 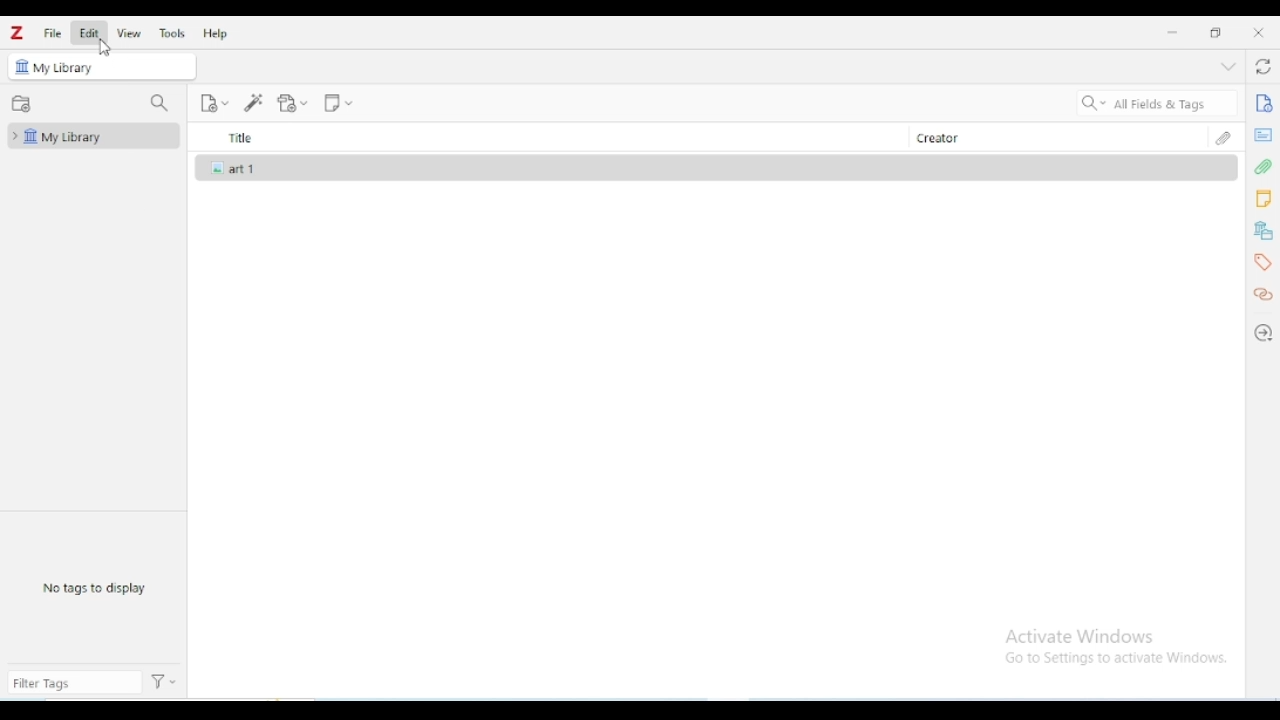 I want to click on logo, so click(x=16, y=32).